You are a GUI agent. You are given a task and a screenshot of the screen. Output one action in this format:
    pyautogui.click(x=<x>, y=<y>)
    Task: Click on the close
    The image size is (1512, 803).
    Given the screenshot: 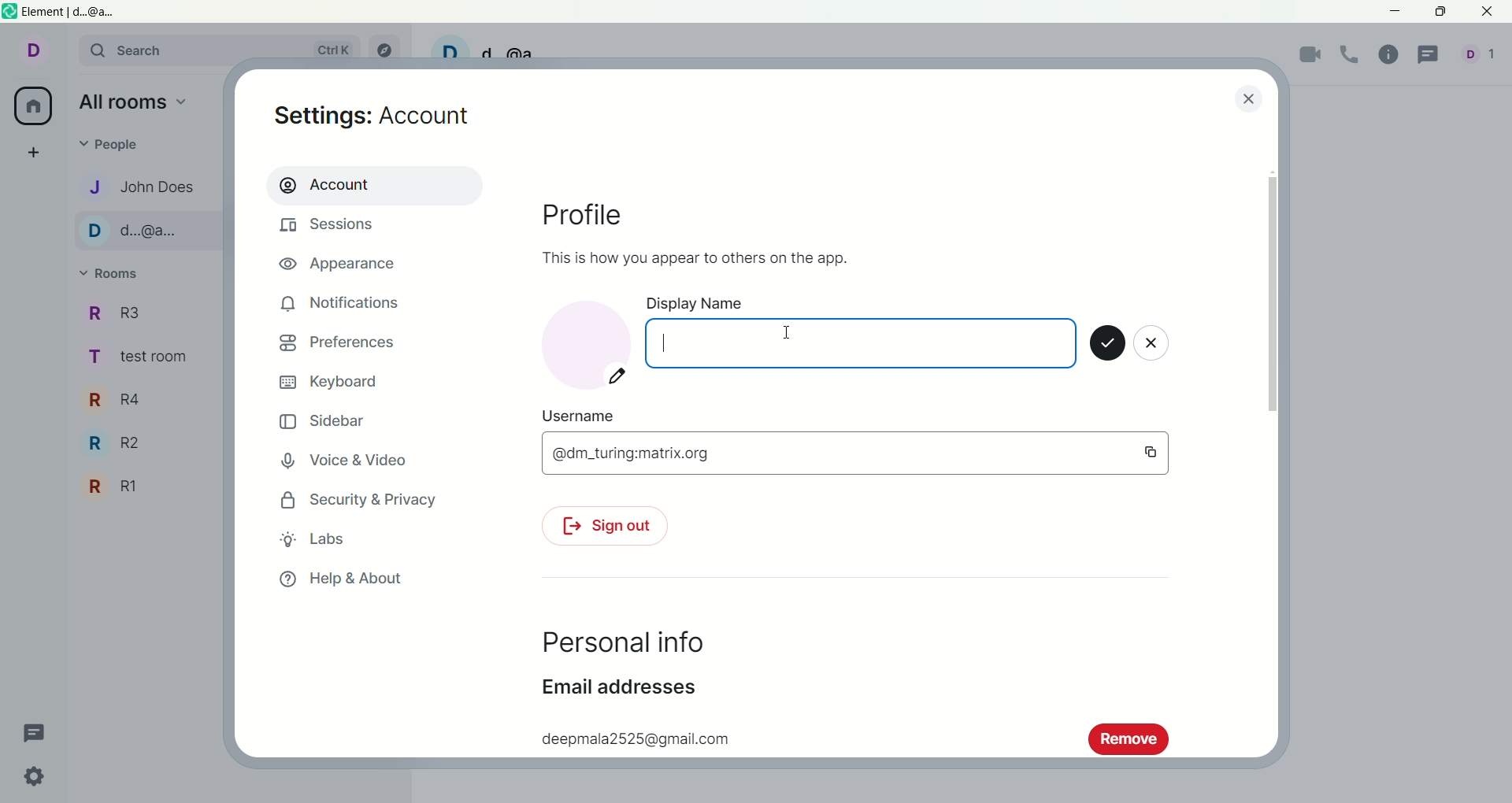 What is the action you would take?
    pyautogui.click(x=1247, y=98)
    